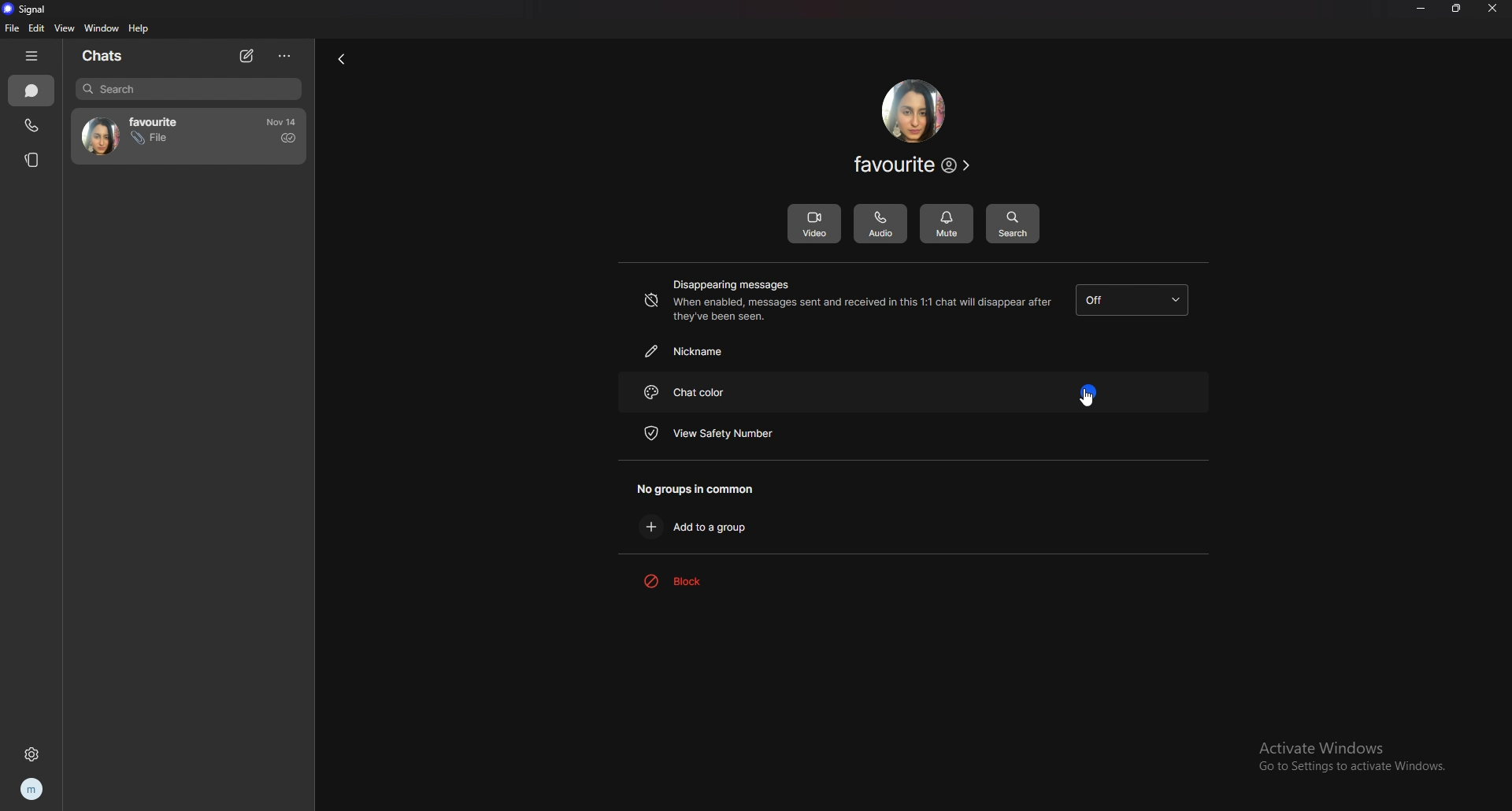 The width and height of the screenshot is (1512, 811). I want to click on resize, so click(1458, 8).